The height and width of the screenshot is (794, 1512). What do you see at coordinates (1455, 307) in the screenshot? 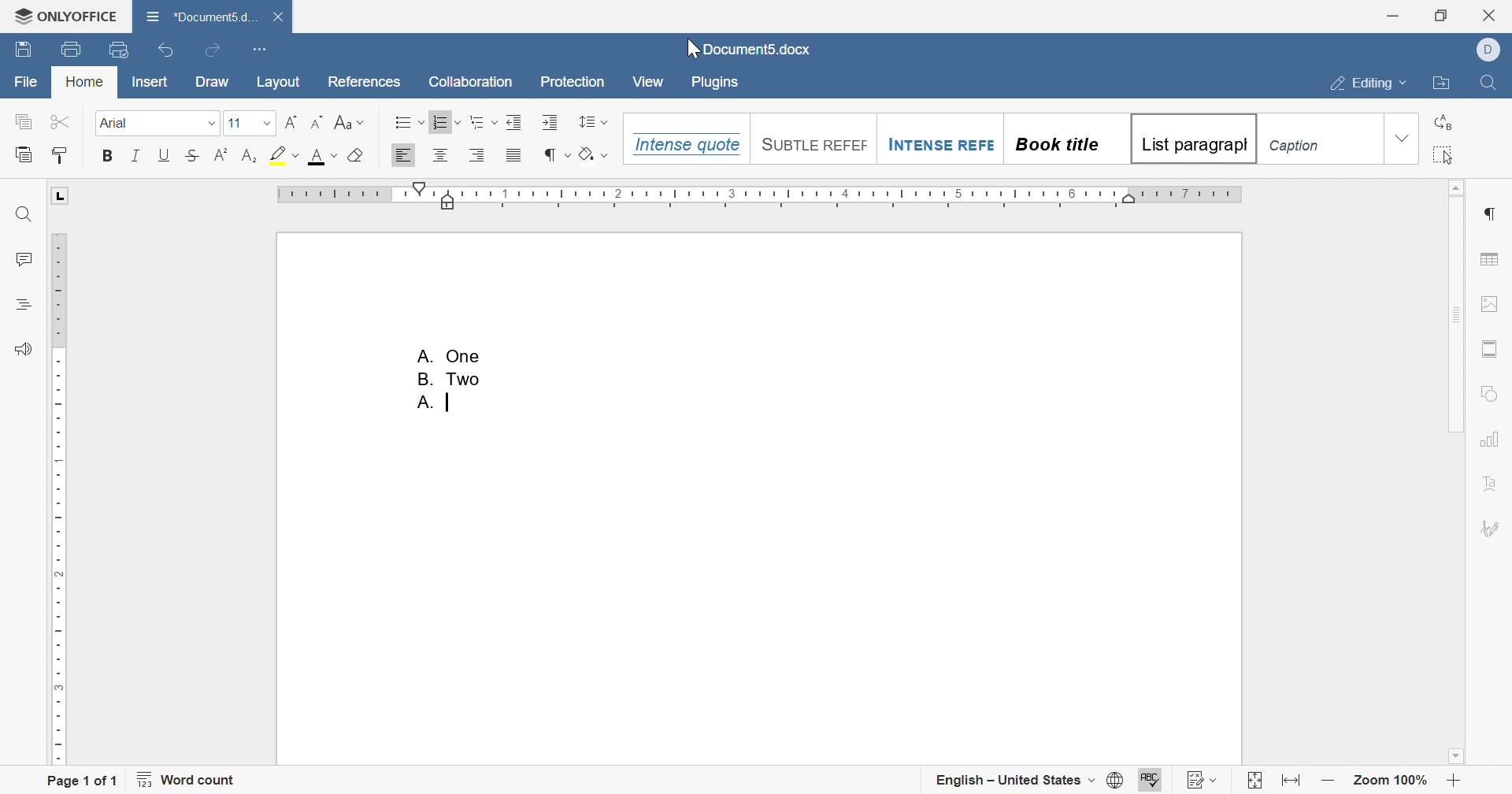
I see `scroll bar` at bounding box center [1455, 307].